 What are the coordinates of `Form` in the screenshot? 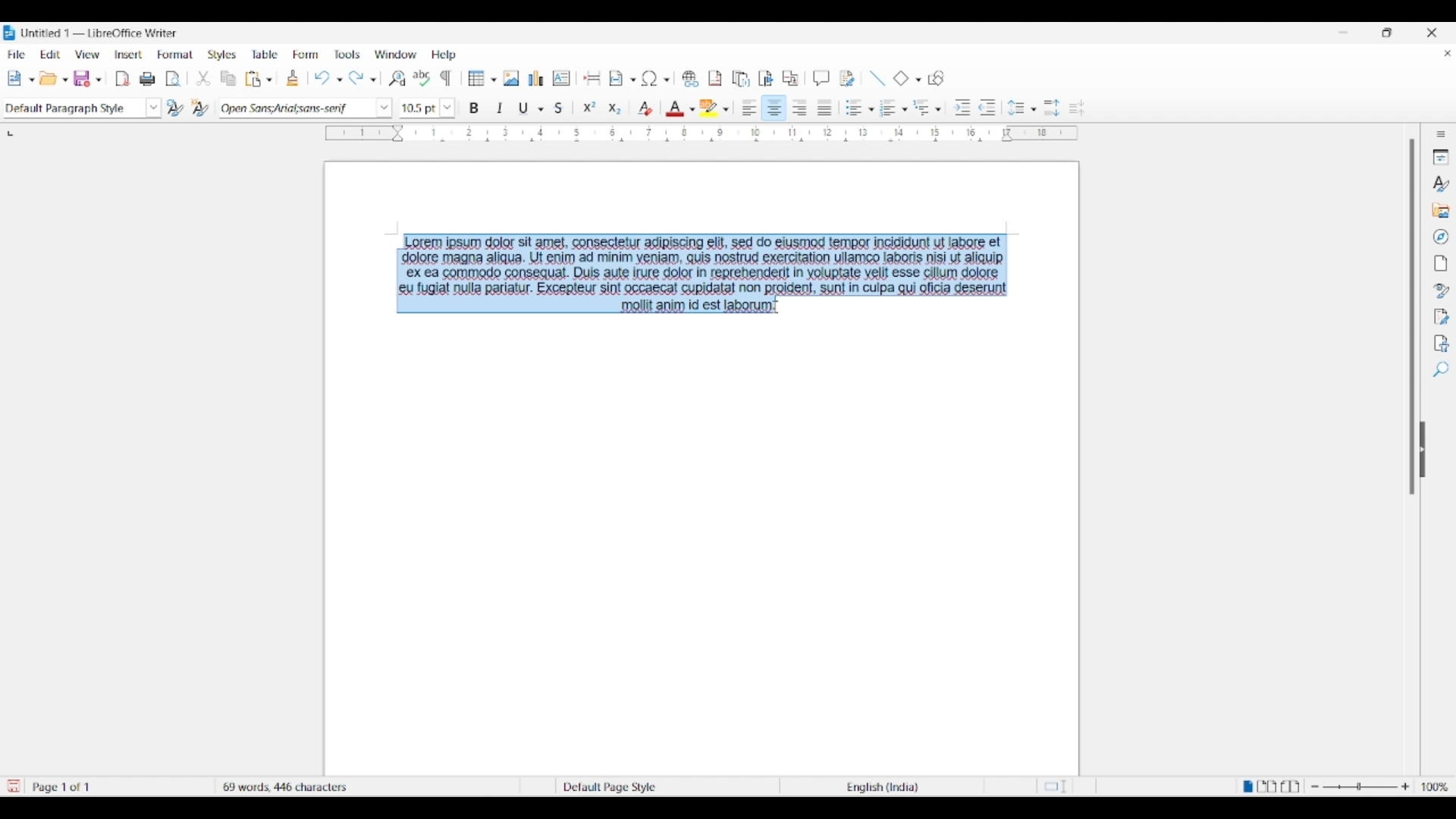 It's located at (305, 54).